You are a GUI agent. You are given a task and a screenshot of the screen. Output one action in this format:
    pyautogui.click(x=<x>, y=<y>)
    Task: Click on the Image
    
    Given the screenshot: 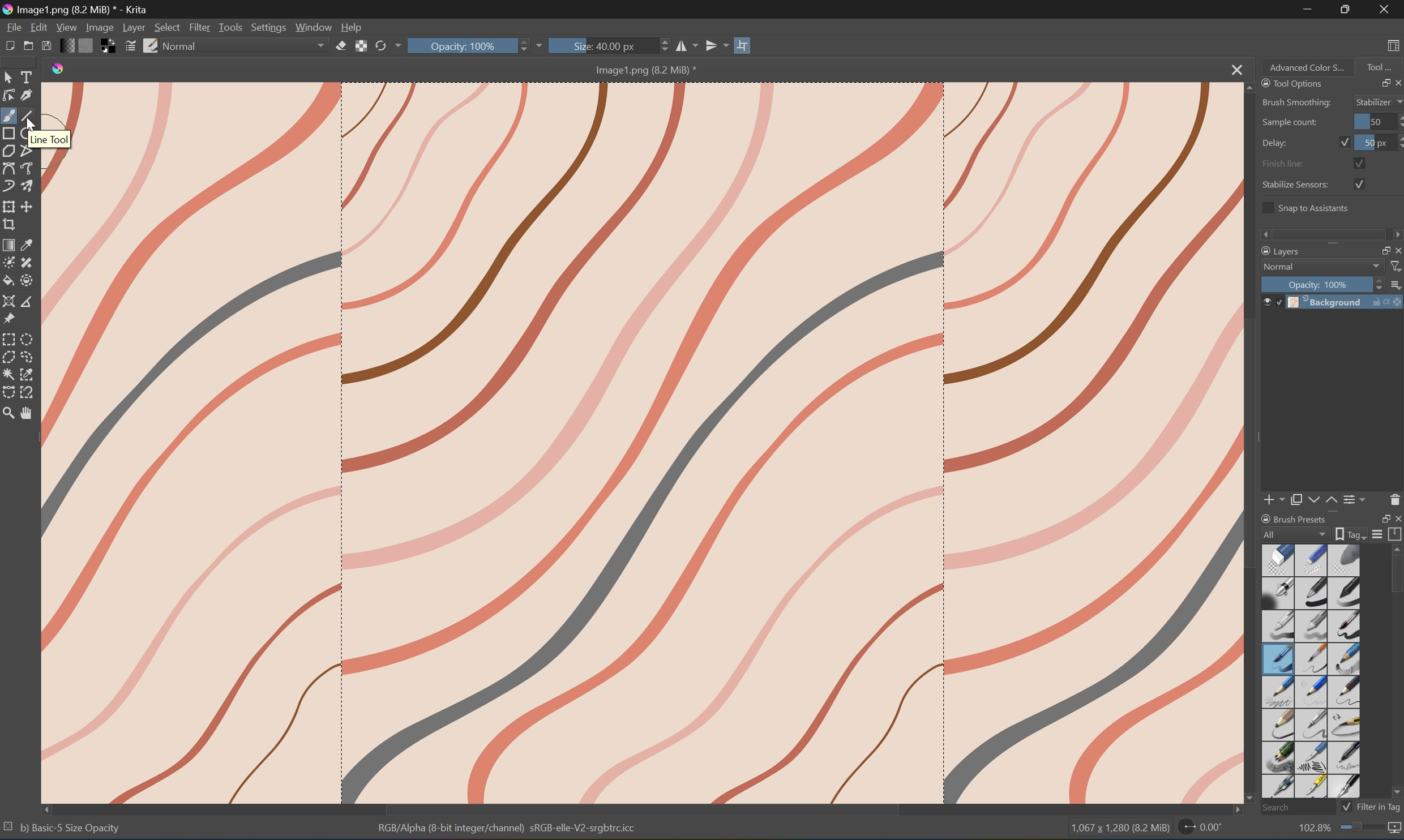 What is the action you would take?
    pyautogui.click(x=99, y=27)
    